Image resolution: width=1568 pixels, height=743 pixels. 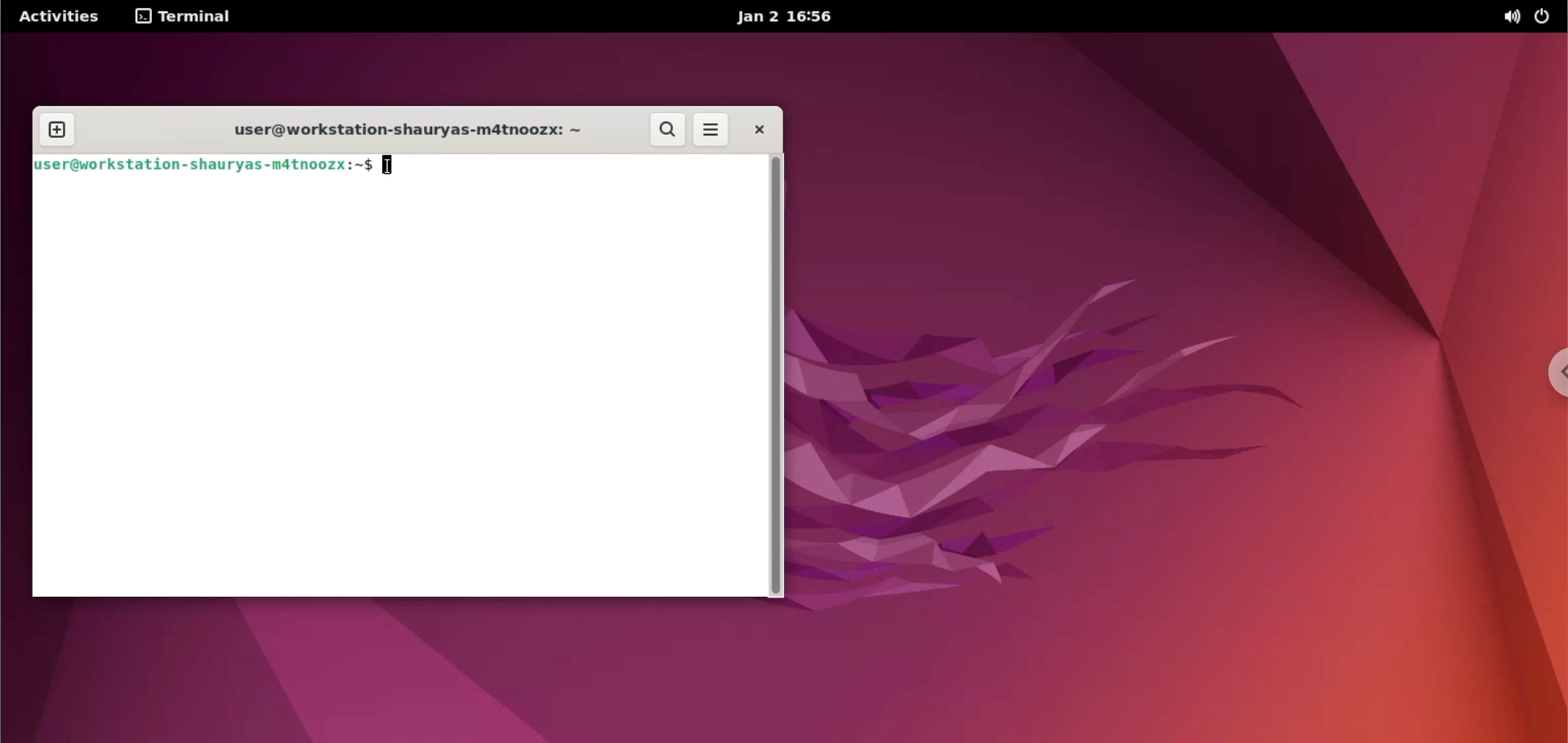 What do you see at coordinates (664, 129) in the screenshot?
I see `search` at bounding box center [664, 129].